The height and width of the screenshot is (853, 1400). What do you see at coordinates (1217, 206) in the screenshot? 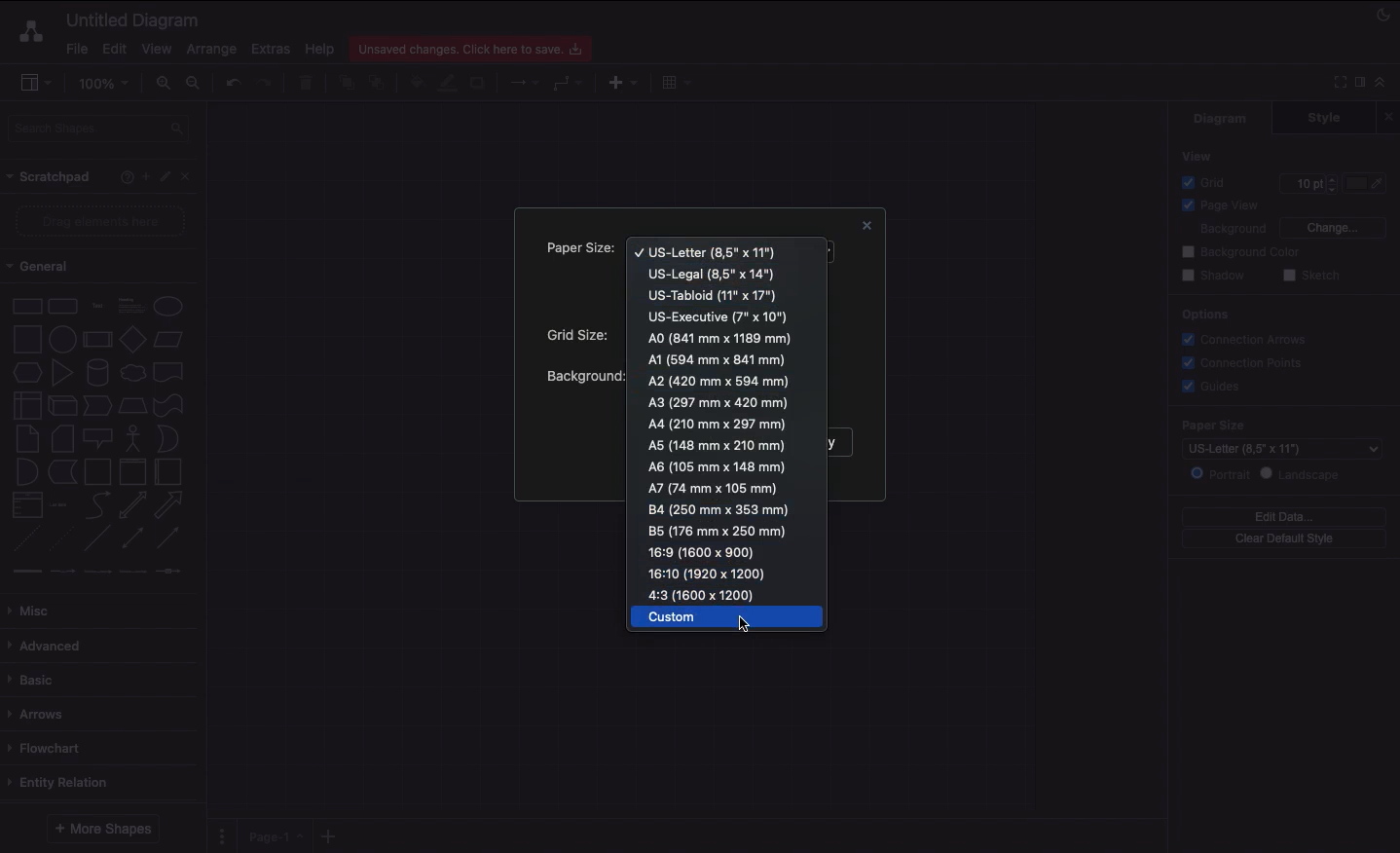
I see `Page view` at bounding box center [1217, 206].